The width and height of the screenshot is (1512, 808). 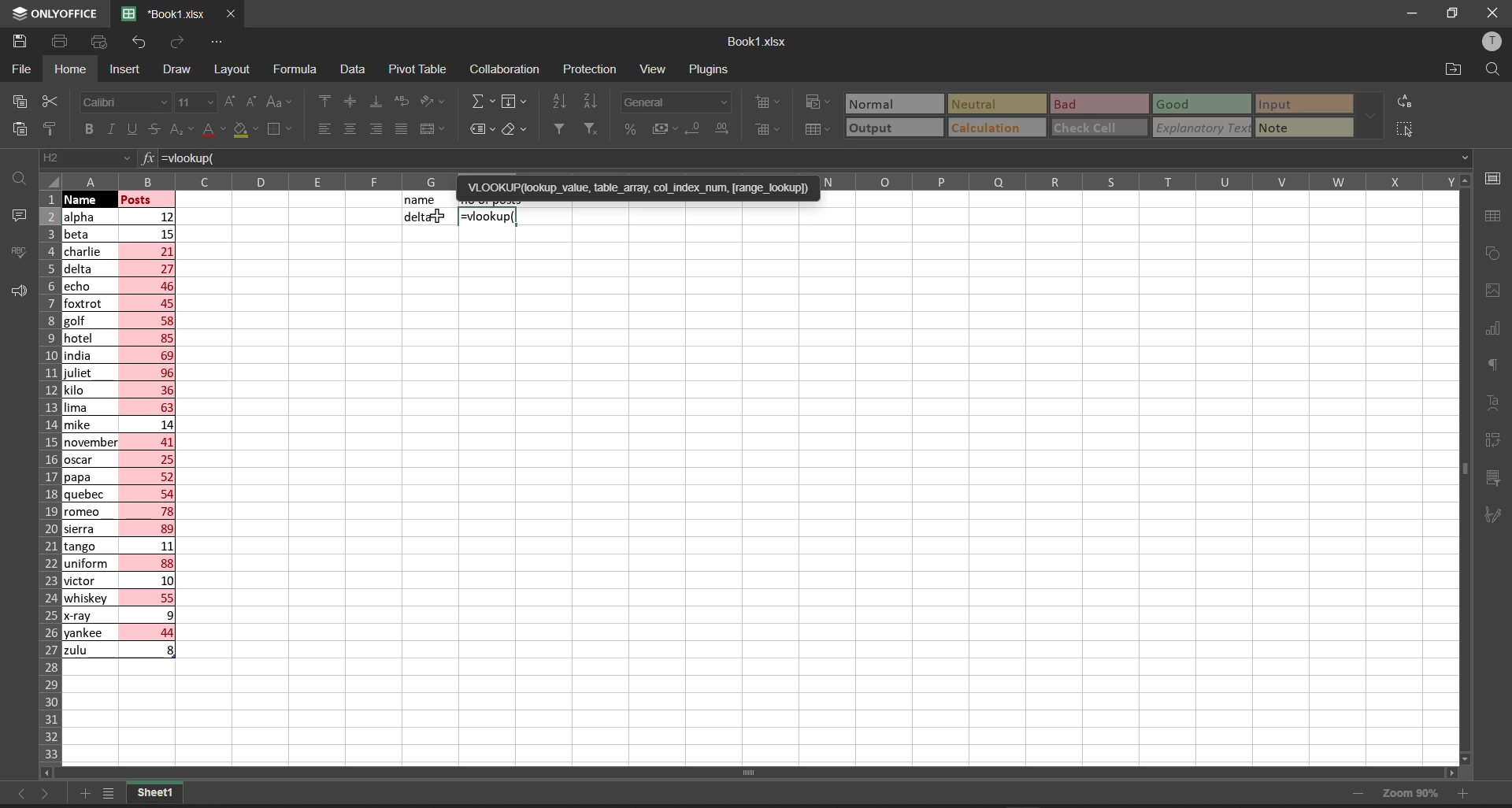 What do you see at coordinates (765, 103) in the screenshot?
I see `insert cells` at bounding box center [765, 103].